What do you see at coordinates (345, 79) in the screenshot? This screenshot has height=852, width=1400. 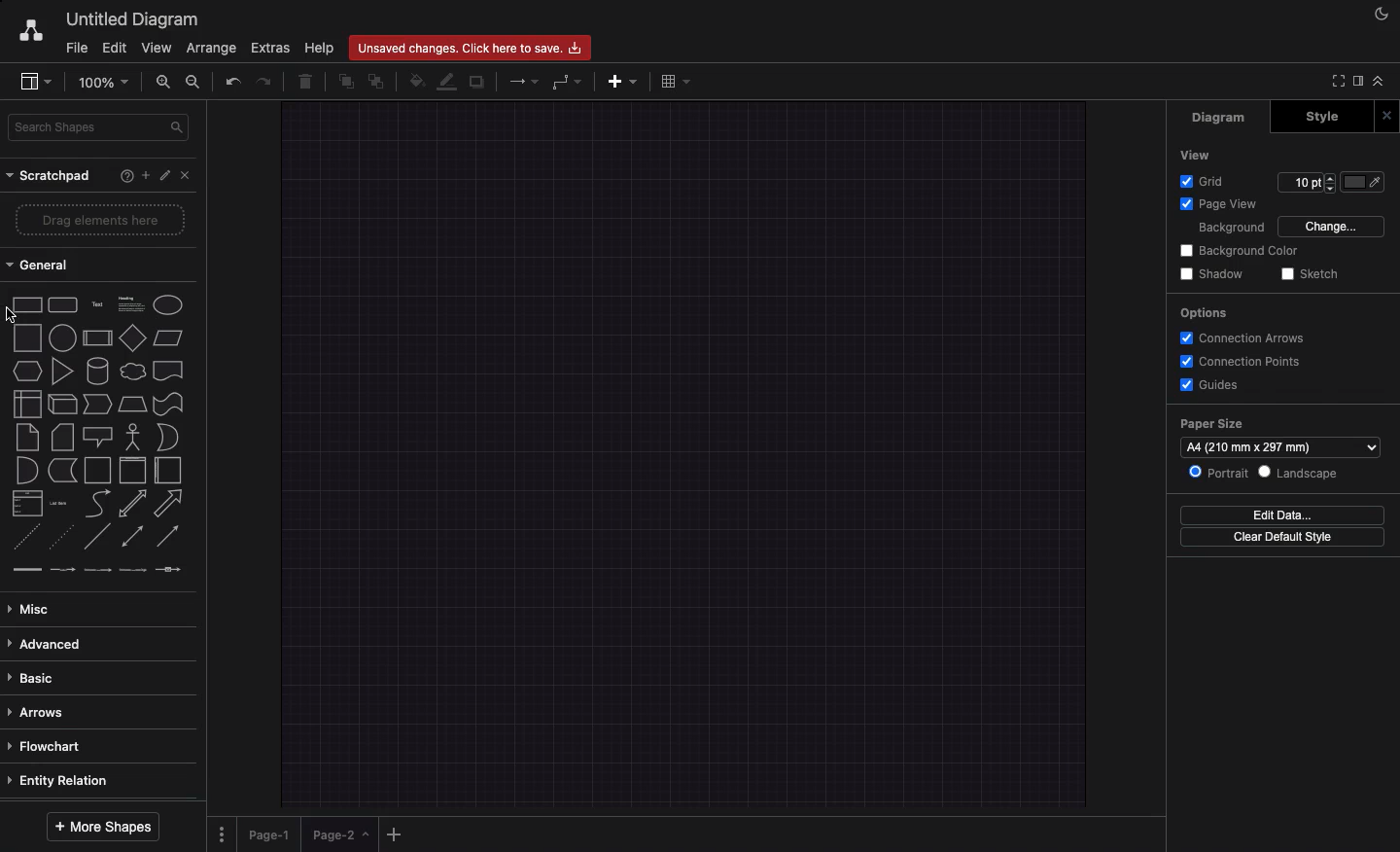 I see `To front ` at bounding box center [345, 79].